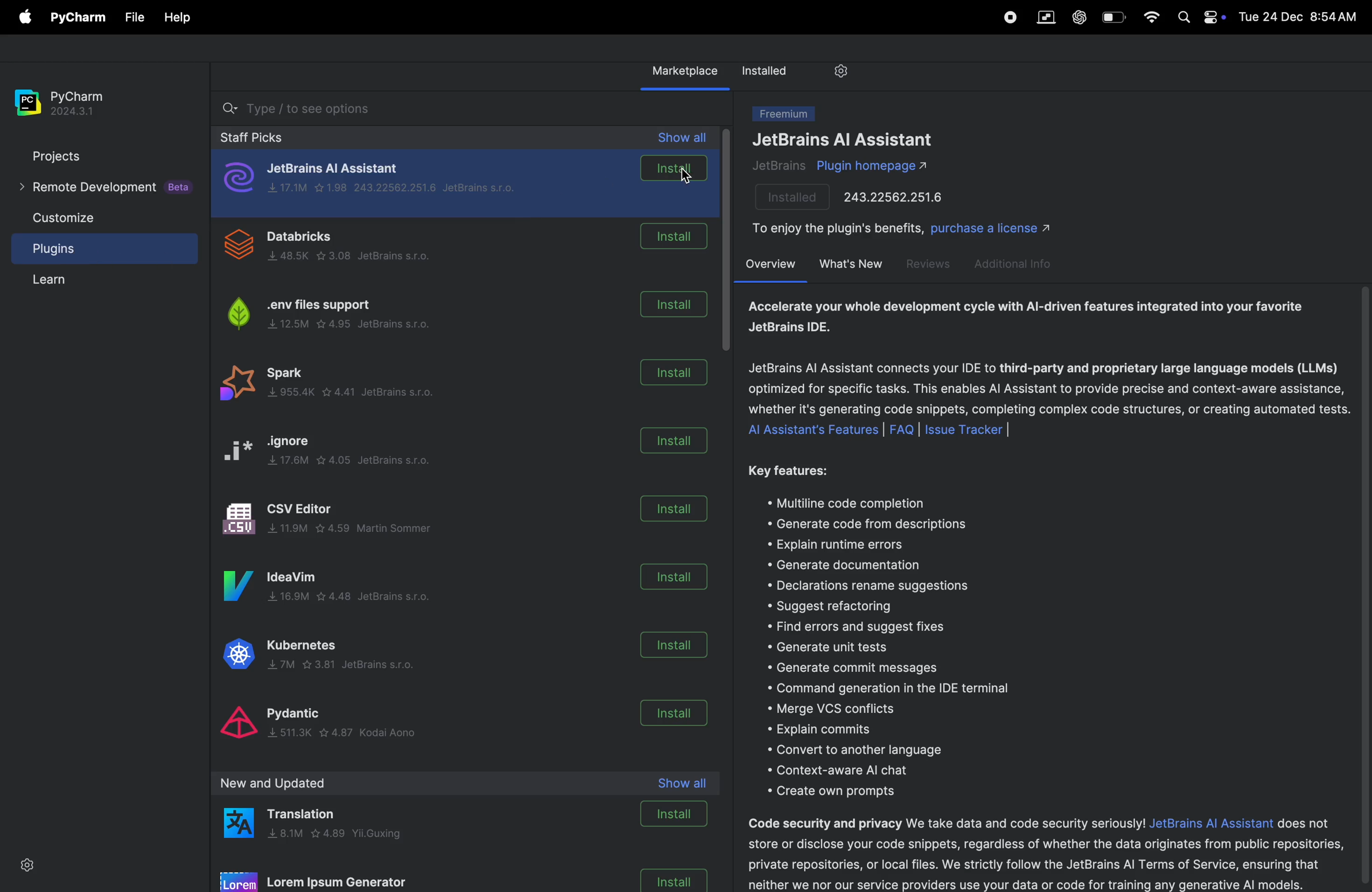  What do you see at coordinates (133, 18) in the screenshot?
I see `File` at bounding box center [133, 18].